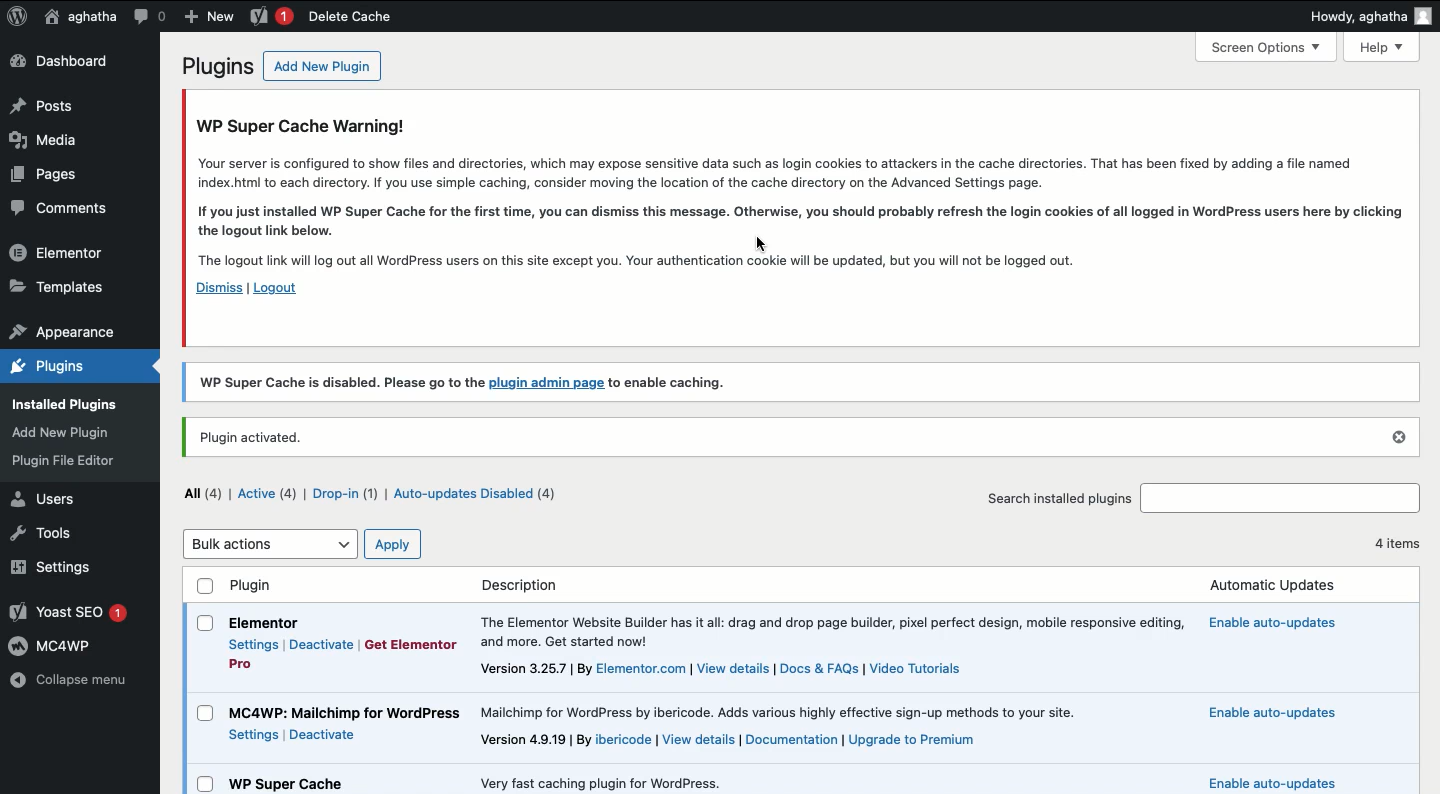 Image resolution: width=1440 pixels, height=794 pixels. I want to click on Mailchimp for WordPress by ibericode. Adds various highly effective sign-up methods to your site.
Version 4.9.19 | By ibericode | View details | Documentation | Upgrade to Premium, so click(804, 728).